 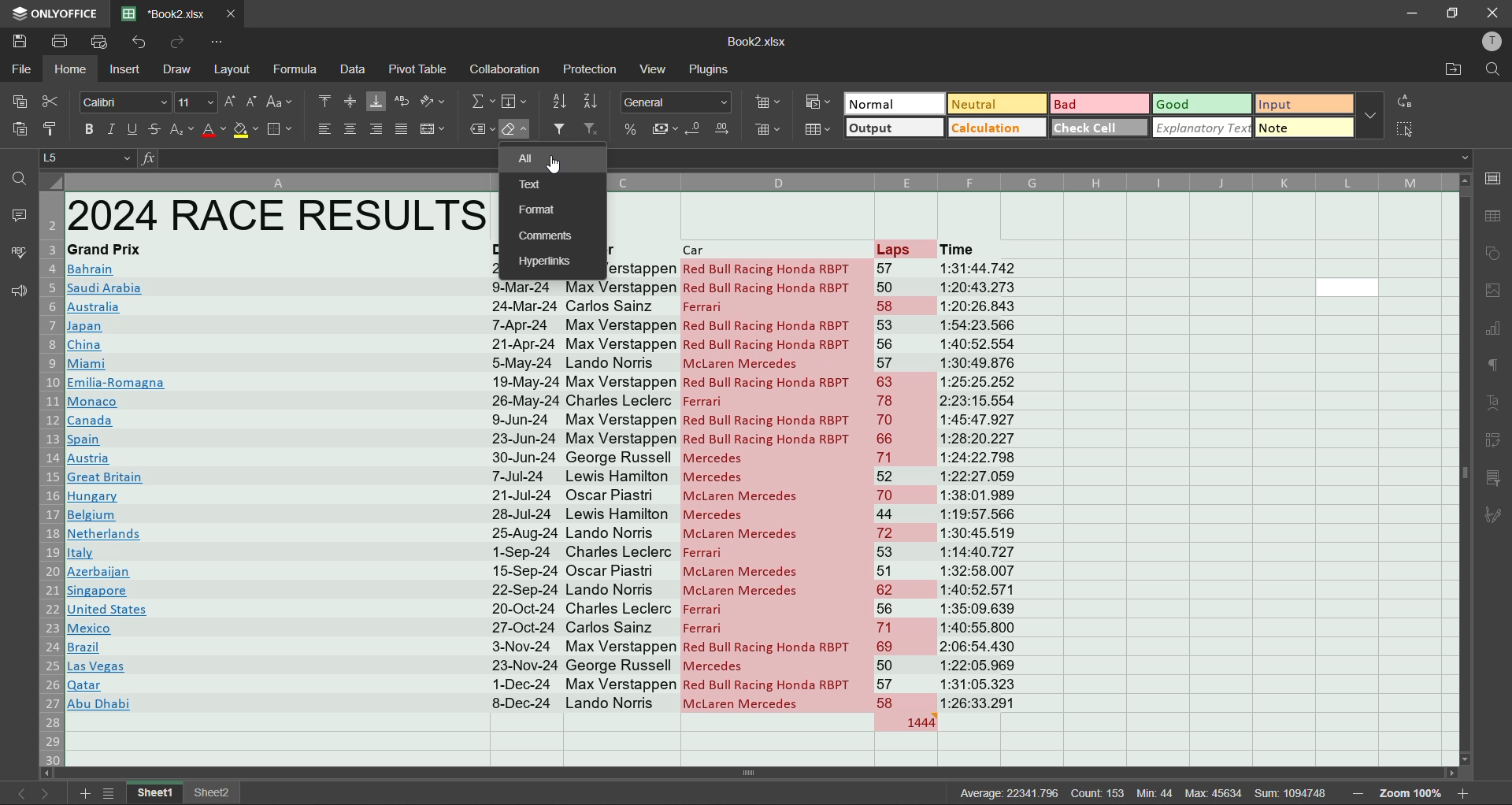 I want to click on text, so click(x=1494, y=402).